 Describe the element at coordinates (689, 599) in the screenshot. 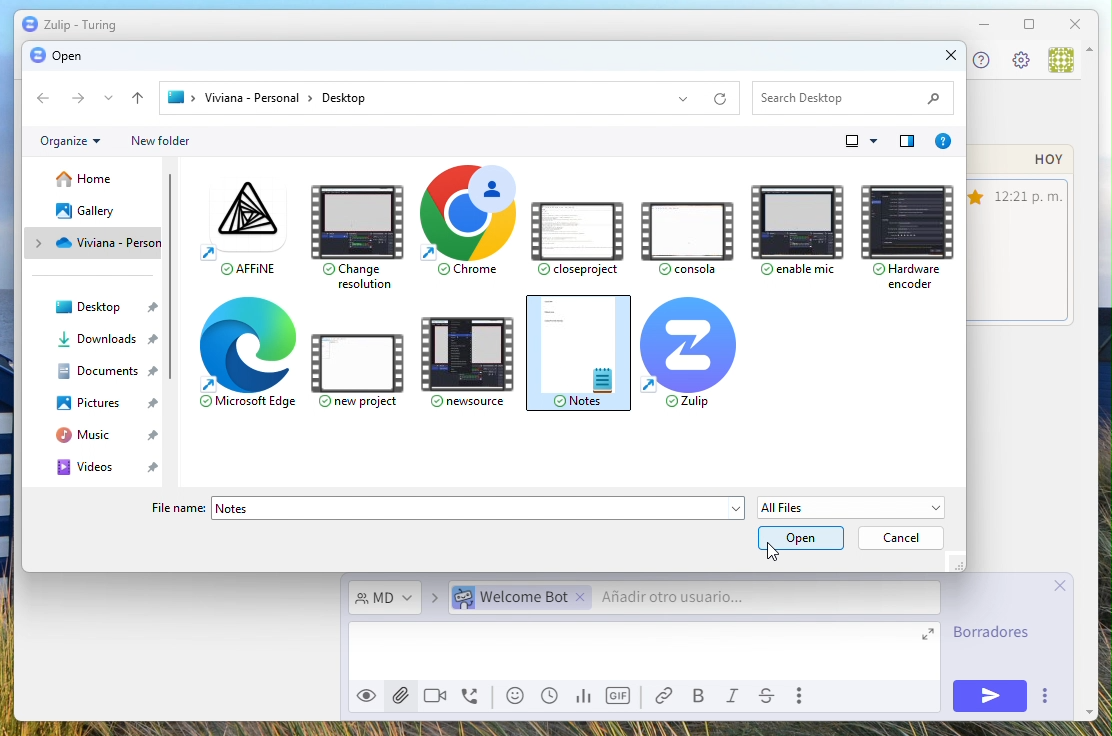

I see `Senders` at that location.